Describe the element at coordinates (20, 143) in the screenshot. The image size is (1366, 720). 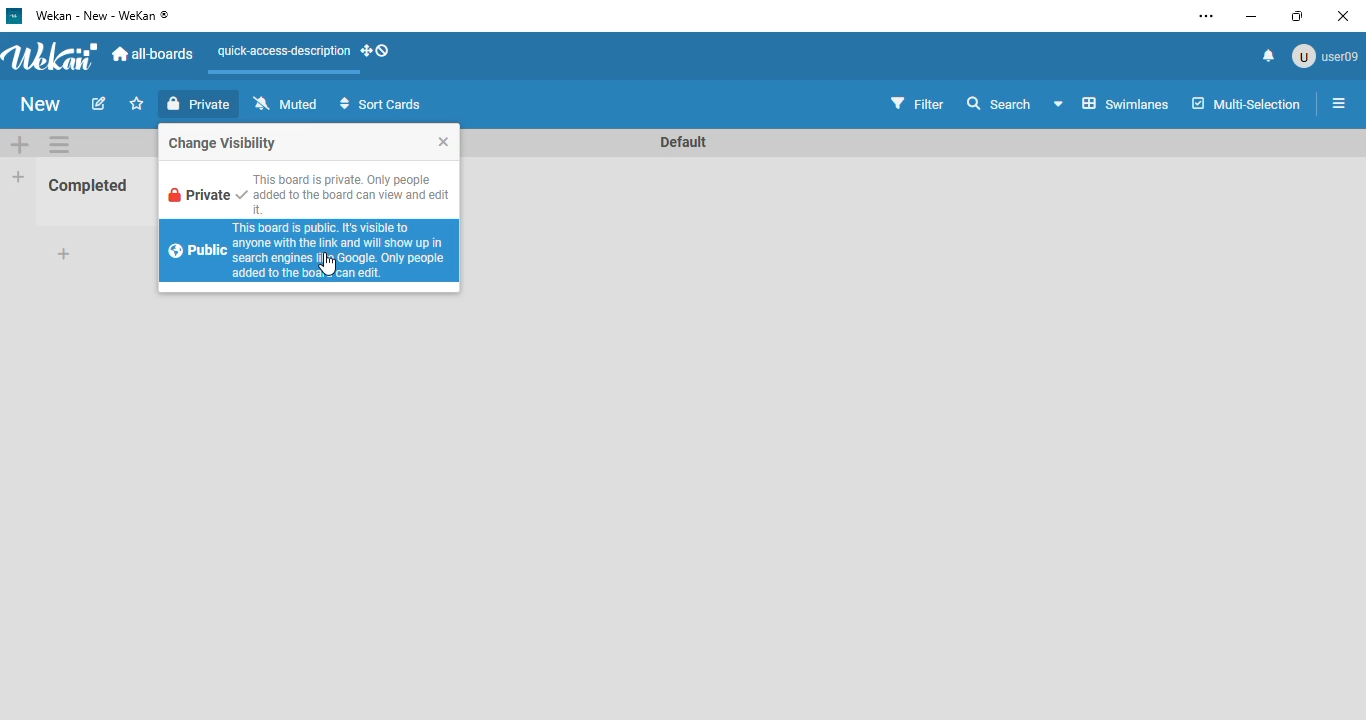
I see `add swimlane` at that location.